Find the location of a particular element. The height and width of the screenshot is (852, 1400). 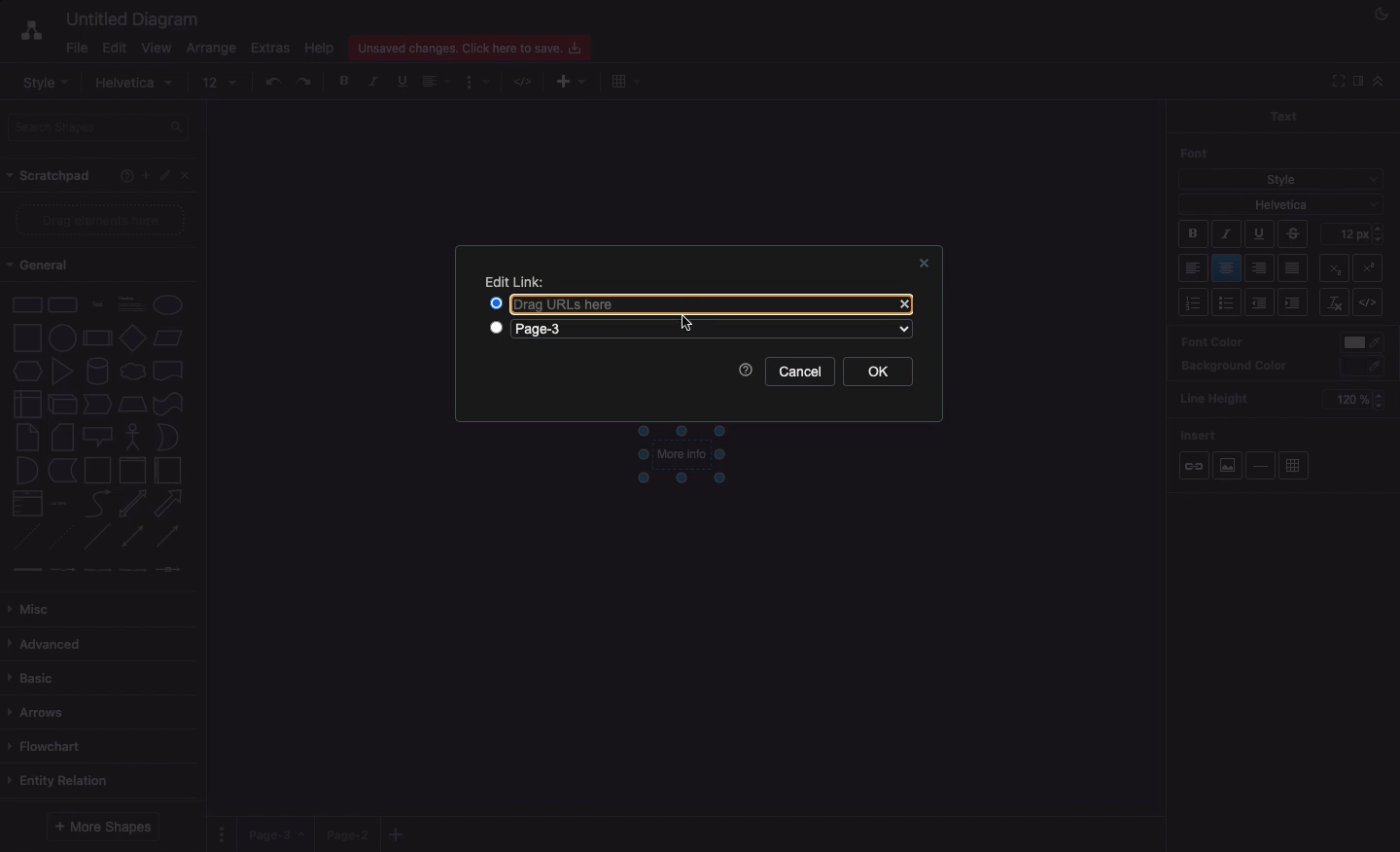

Edit link is located at coordinates (515, 282).